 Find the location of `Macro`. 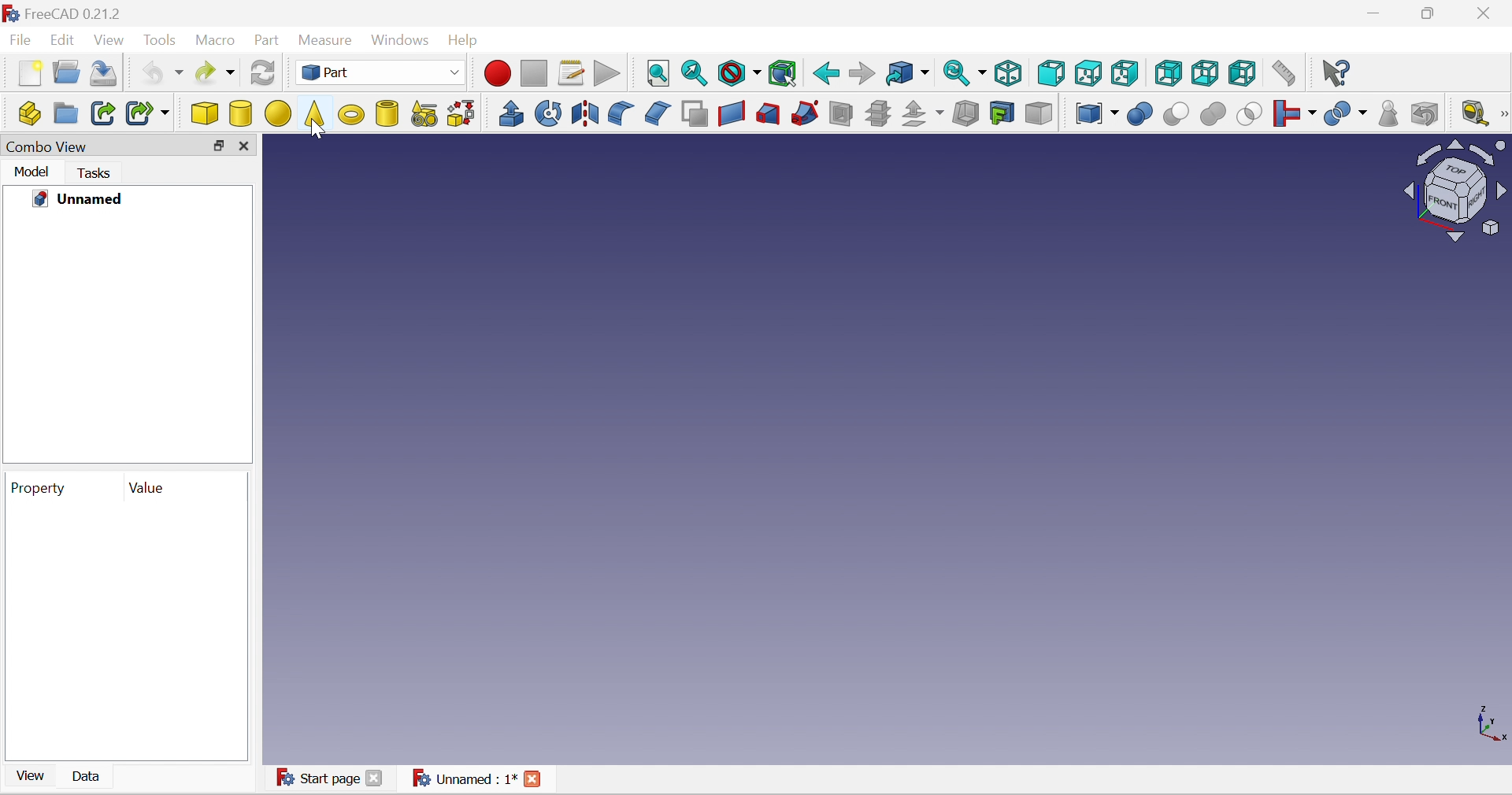

Macro is located at coordinates (217, 41).